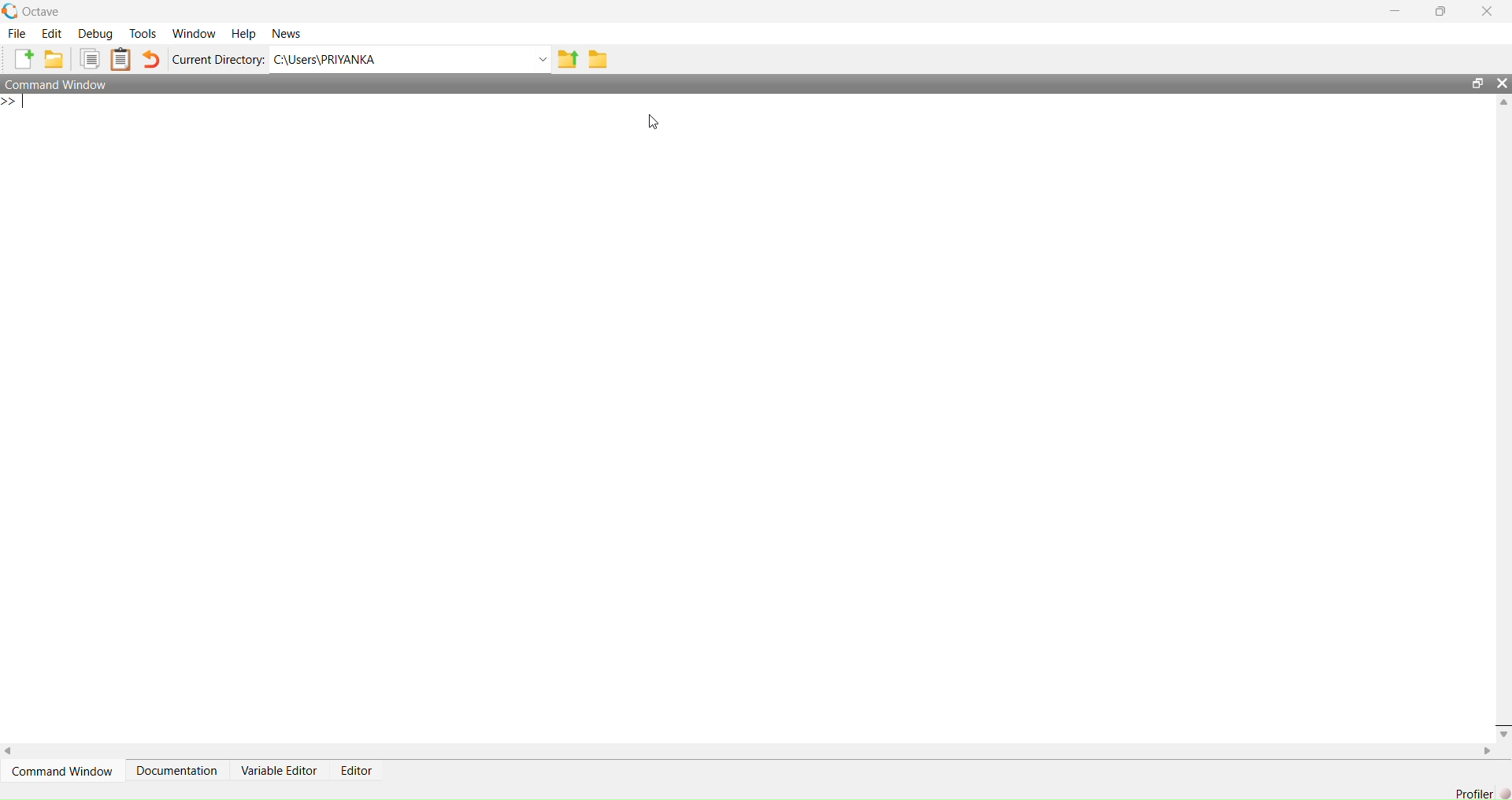  I want to click on Octave, so click(36, 11).